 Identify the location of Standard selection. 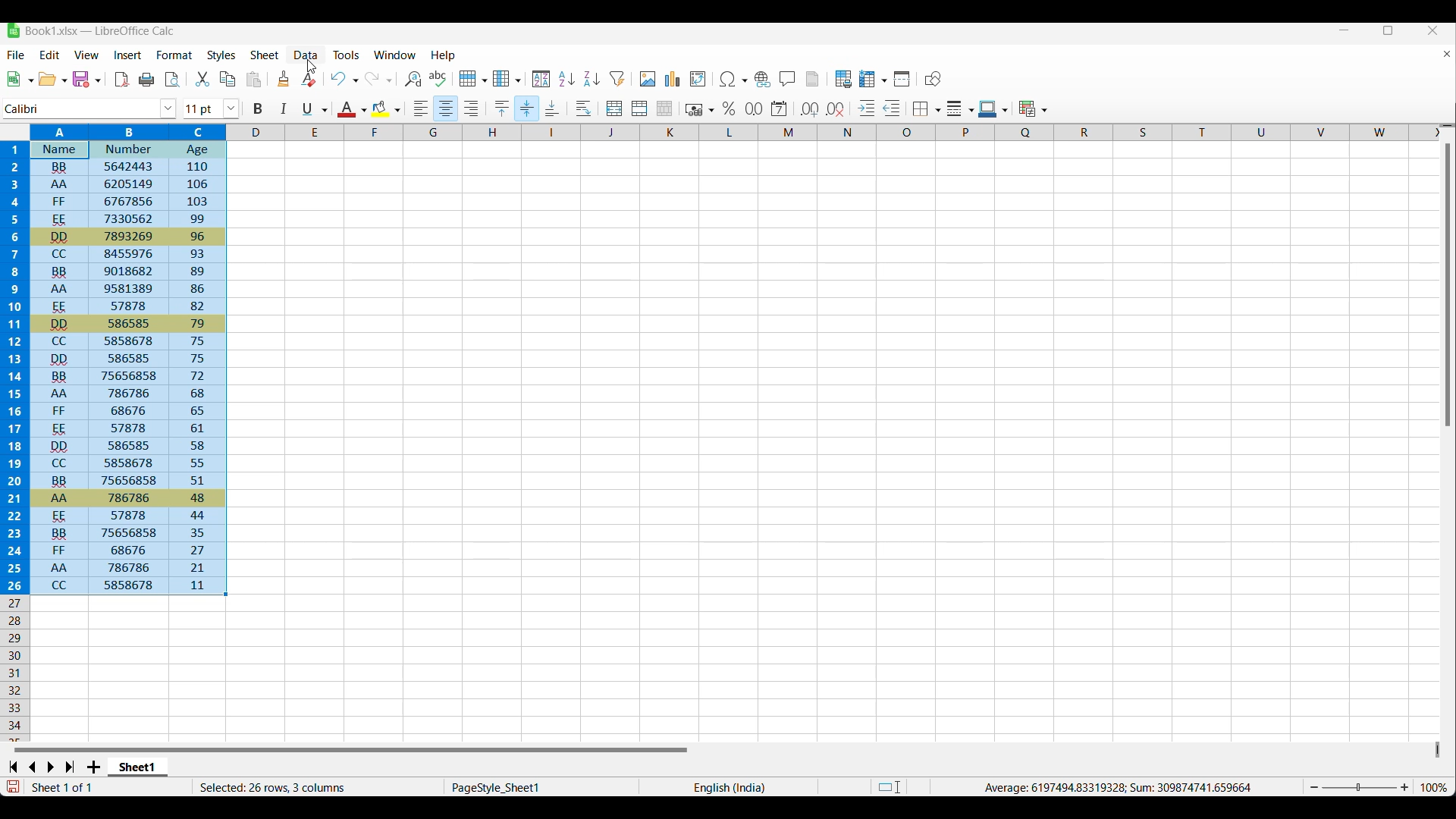
(890, 787).